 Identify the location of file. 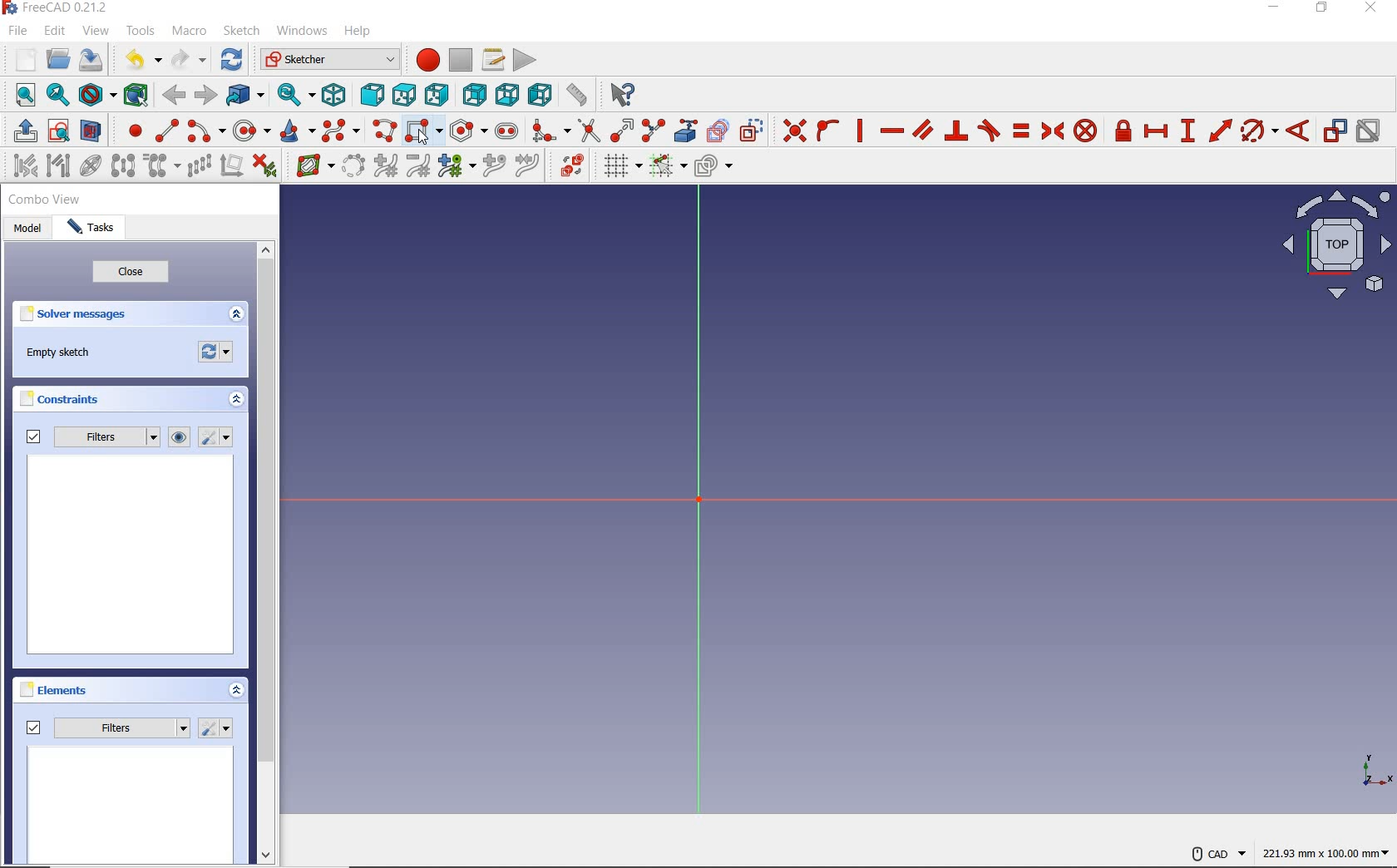
(18, 31).